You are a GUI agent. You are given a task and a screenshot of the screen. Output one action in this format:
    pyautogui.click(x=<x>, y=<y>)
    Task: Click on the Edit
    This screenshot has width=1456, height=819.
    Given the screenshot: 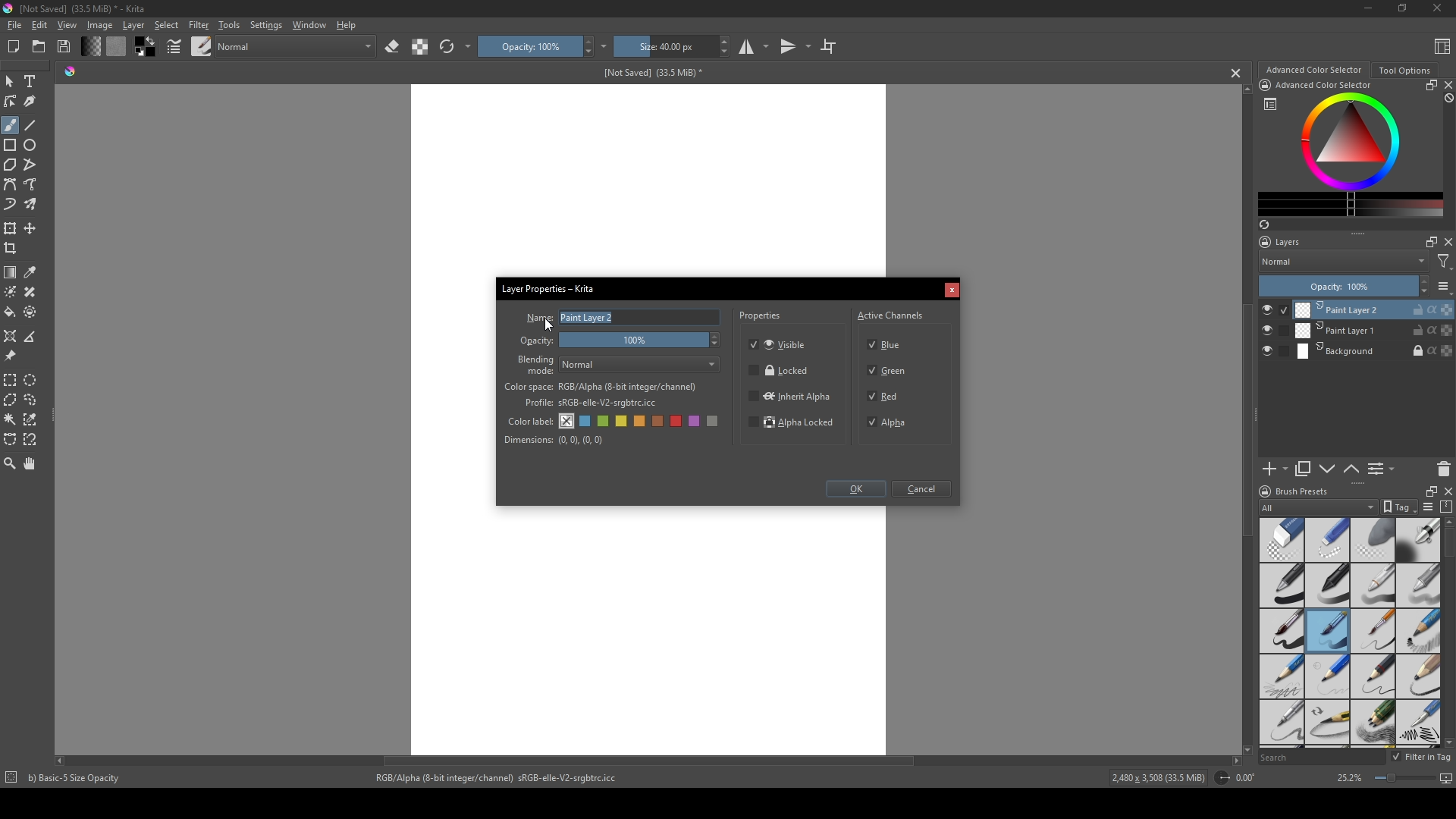 What is the action you would take?
    pyautogui.click(x=39, y=25)
    